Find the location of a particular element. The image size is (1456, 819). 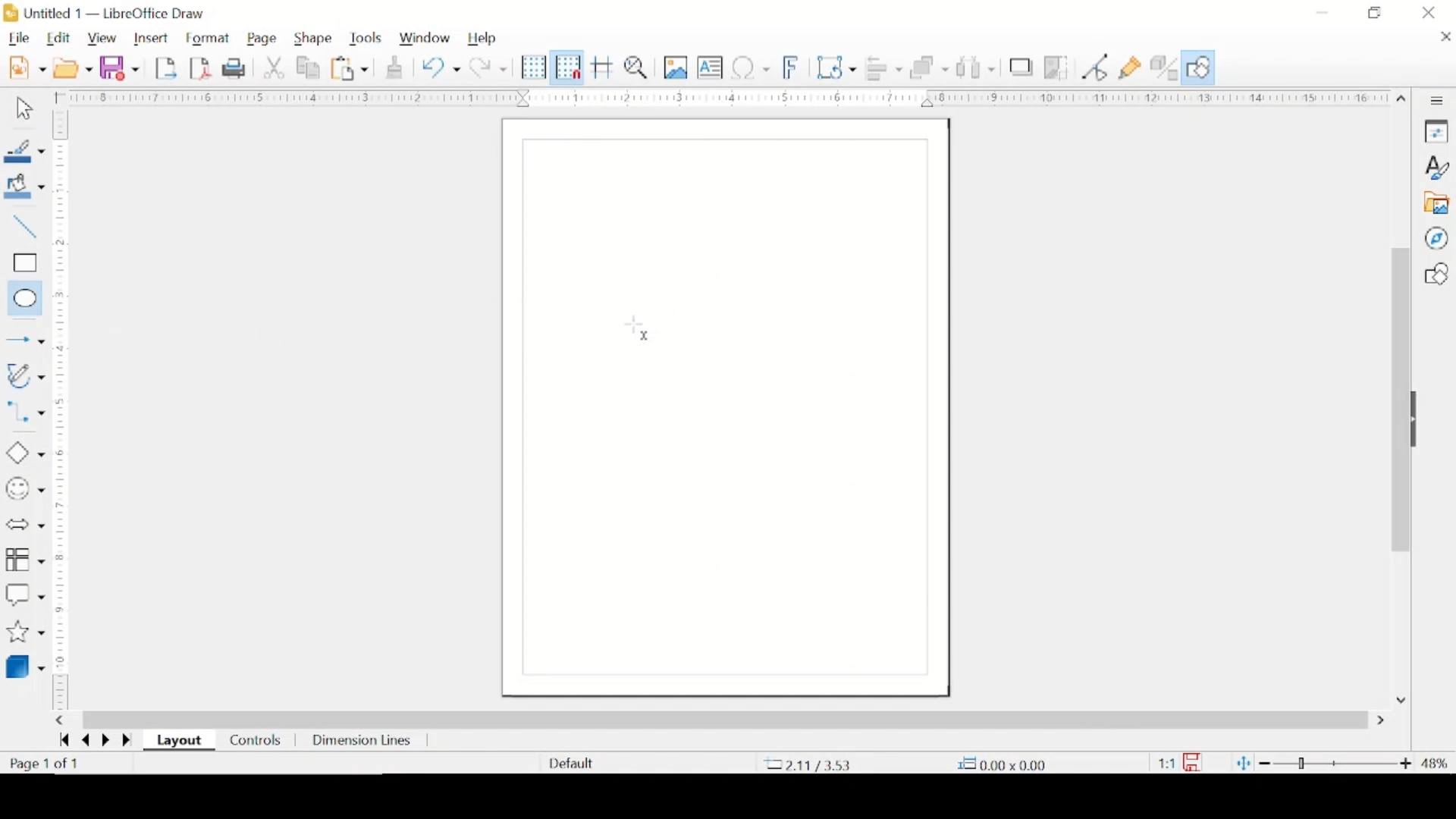

cursor is located at coordinates (639, 328).